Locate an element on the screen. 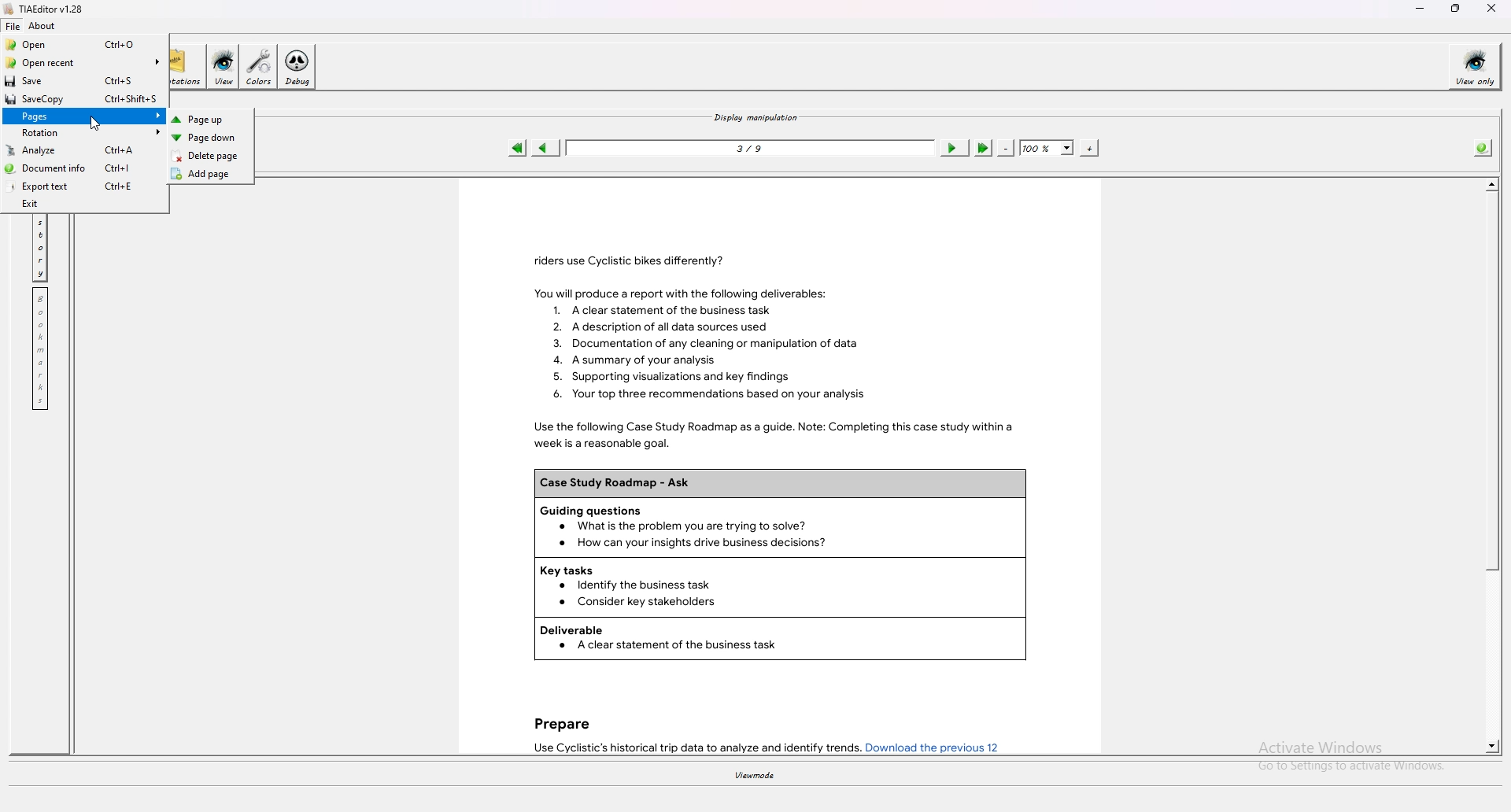  You will produce a report with the following deliverables:
1. Aclear statement of the business task
2. A description of all data sources used
3. Documentation of any cleaning or manipulation of data
4. A summary of your analysis
5. Supporting visualizations and key findings
6. Your top three recommendations based on your analysis is located at coordinates (711, 345).